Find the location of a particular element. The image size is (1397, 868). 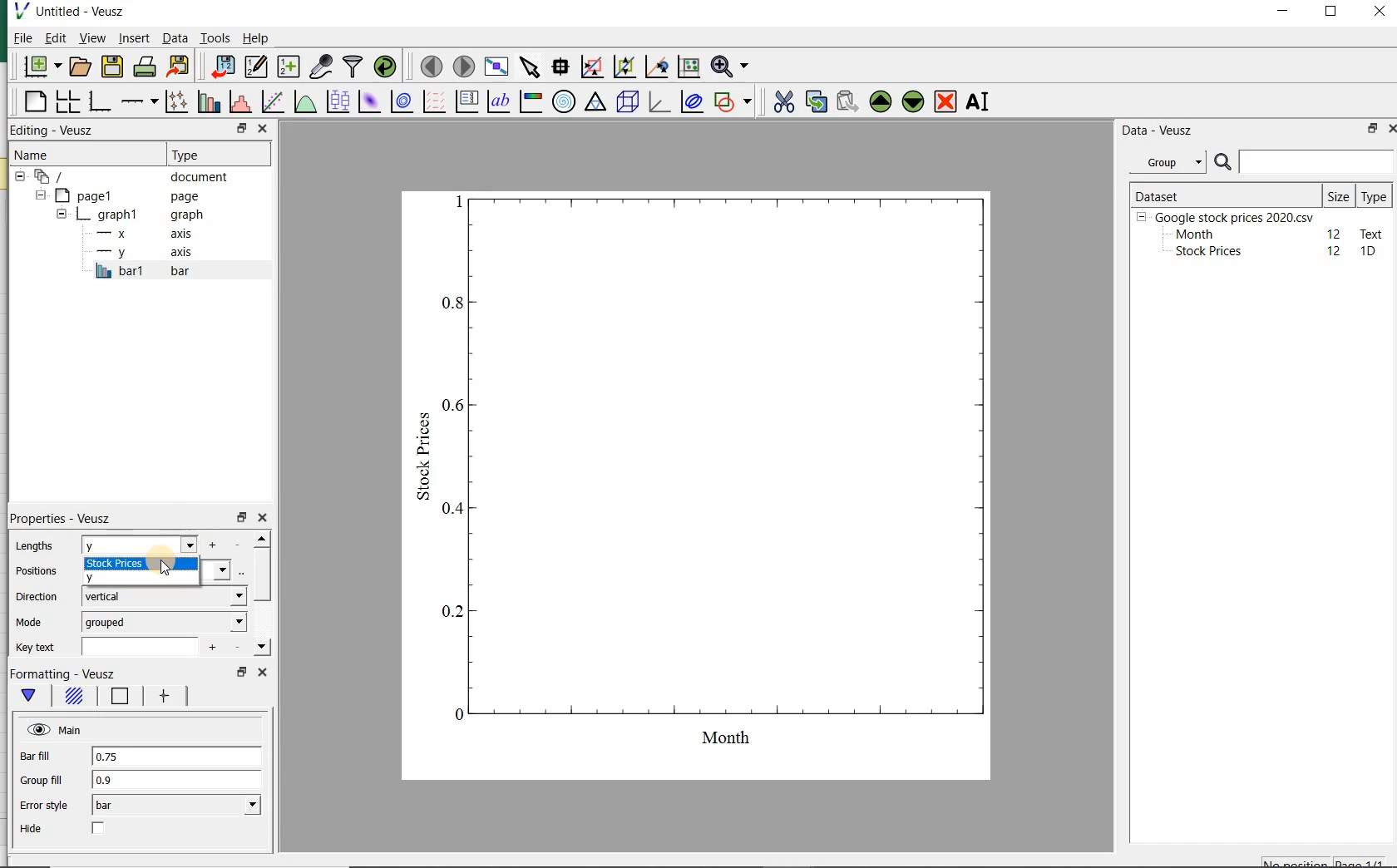

3d scene is located at coordinates (628, 103).